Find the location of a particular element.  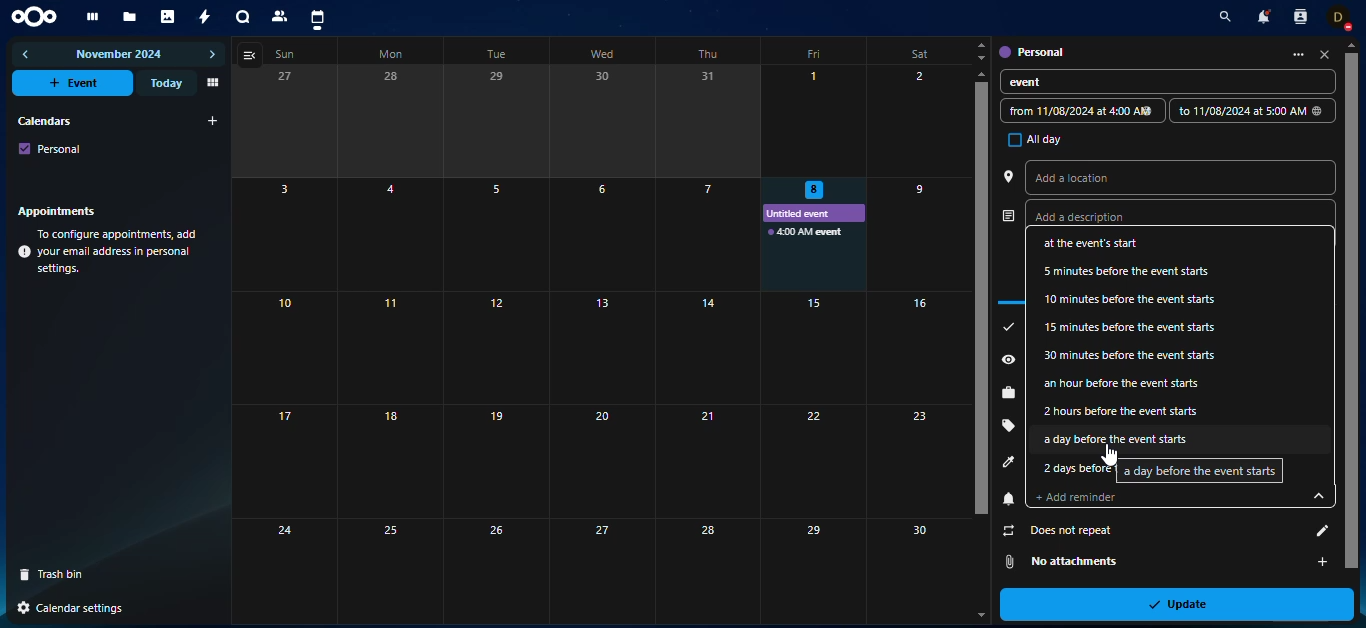

12 is located at coordinates (491, 347).